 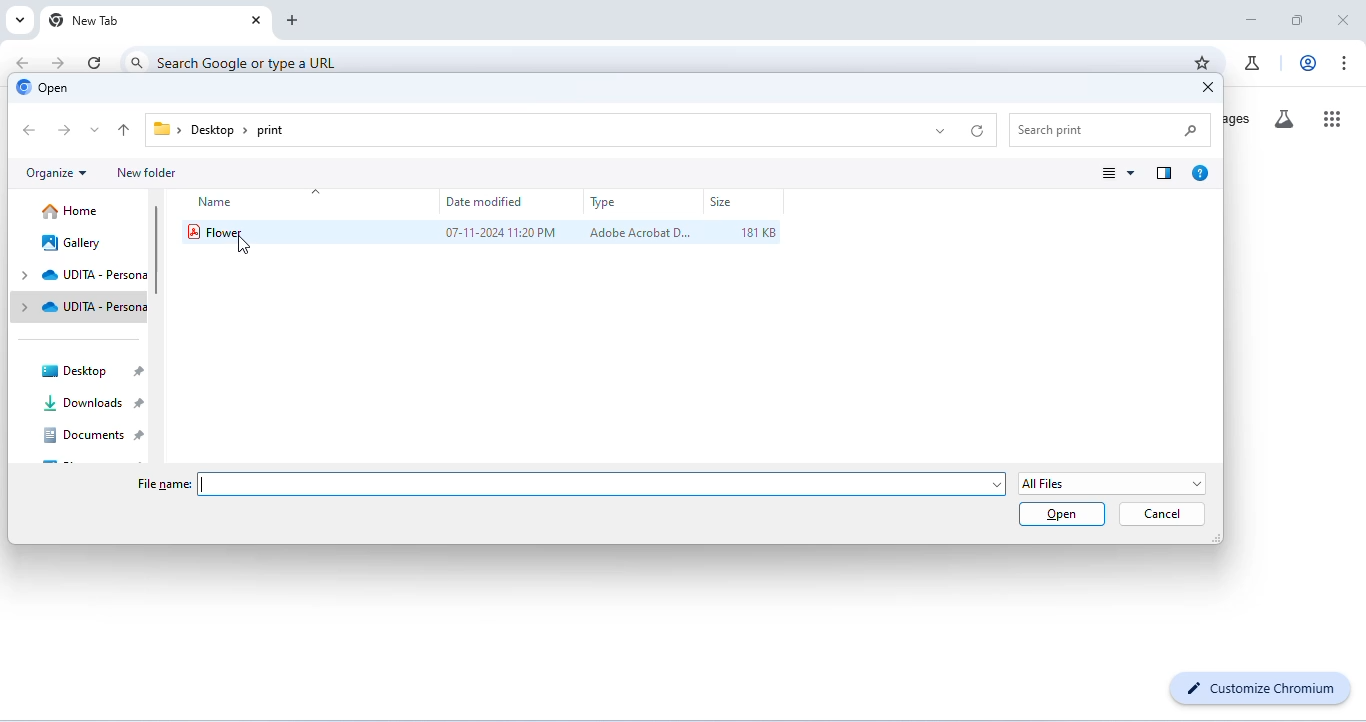 I want to click on flower, so click(x=218, y=231).